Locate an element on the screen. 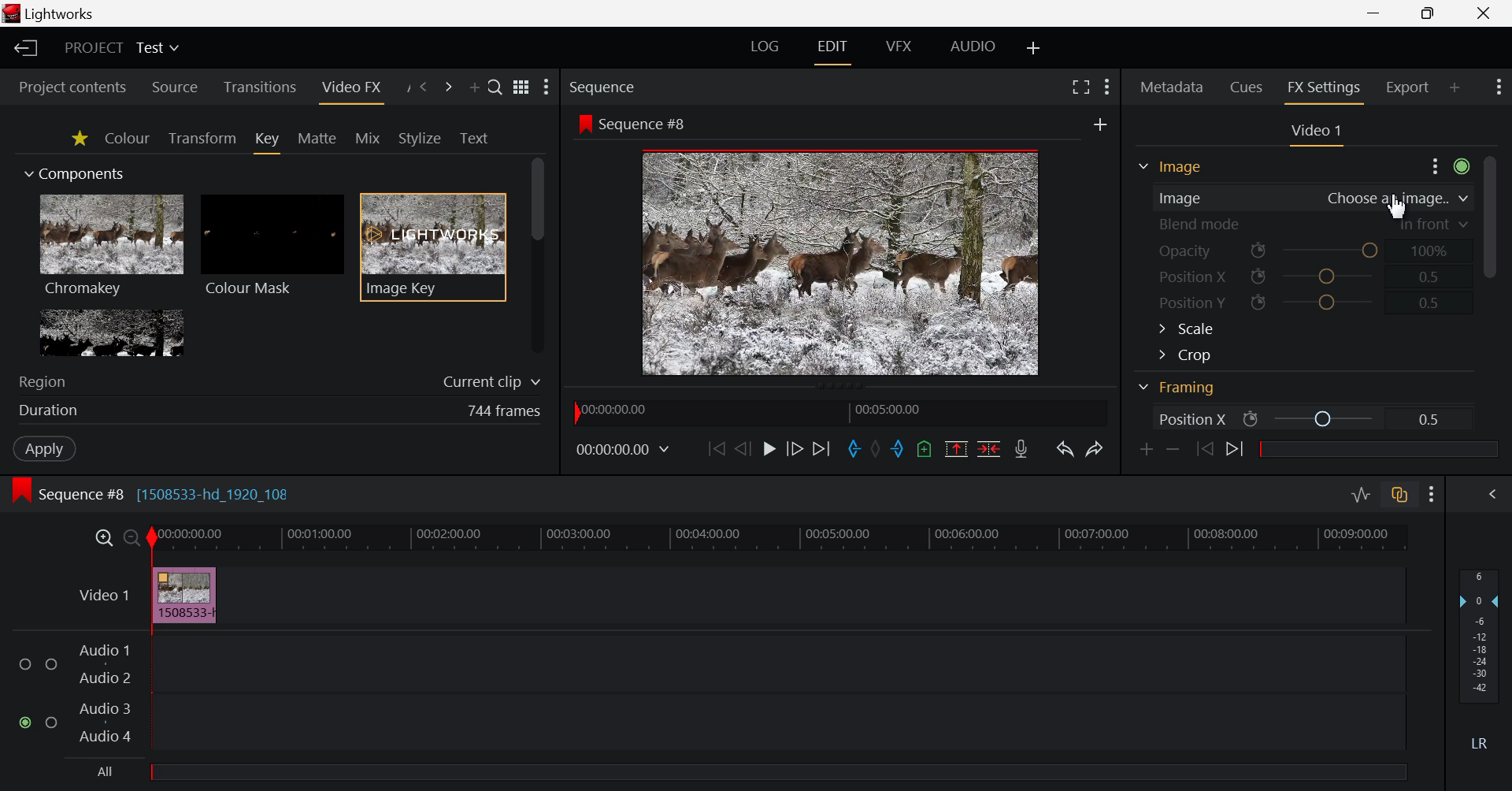 The width and height of the screenshot is (1512, 791). Matte is located at coordinates (320, 139).